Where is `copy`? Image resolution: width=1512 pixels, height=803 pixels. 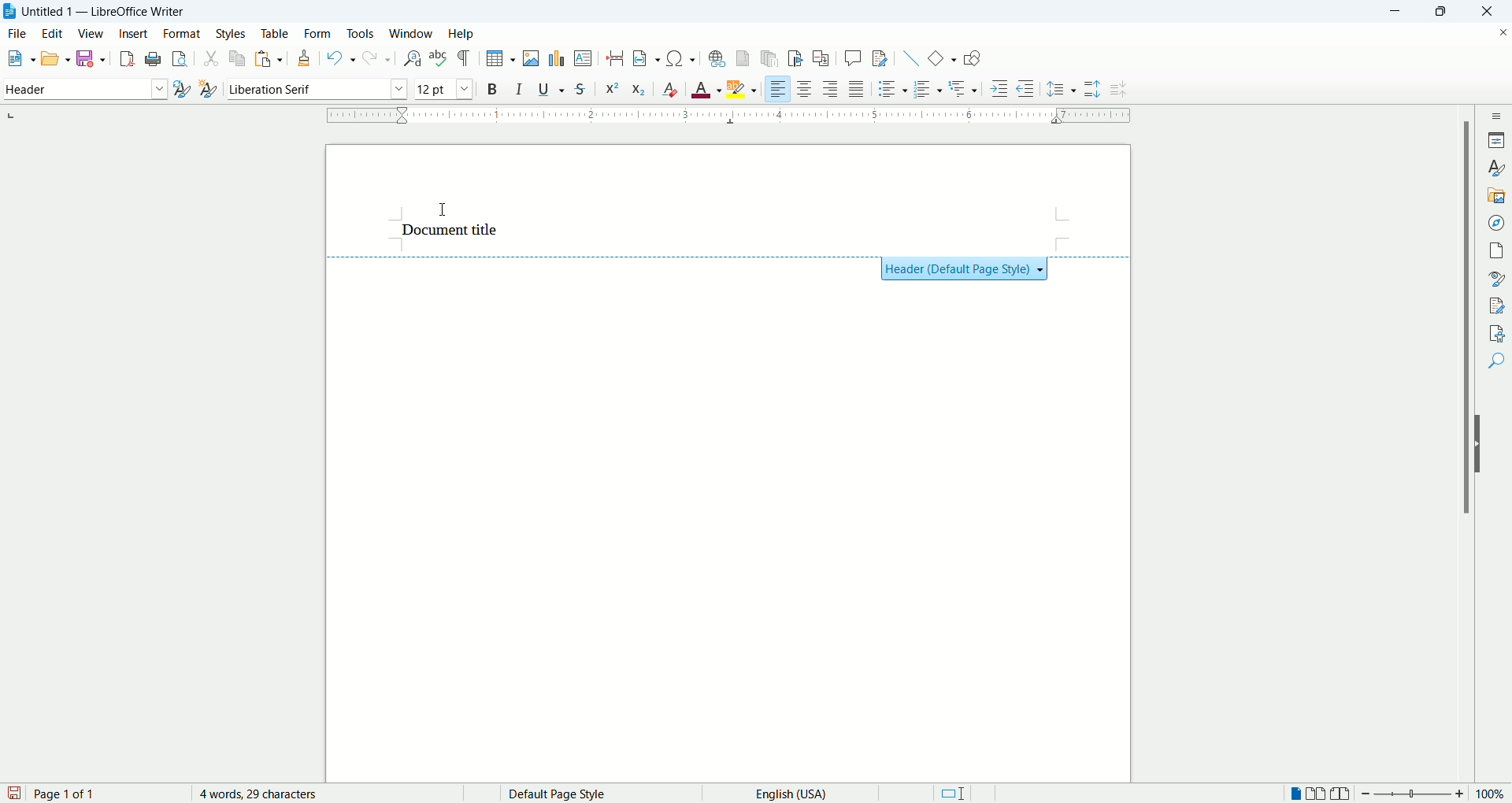 copy is located at coordinates (237, 59).